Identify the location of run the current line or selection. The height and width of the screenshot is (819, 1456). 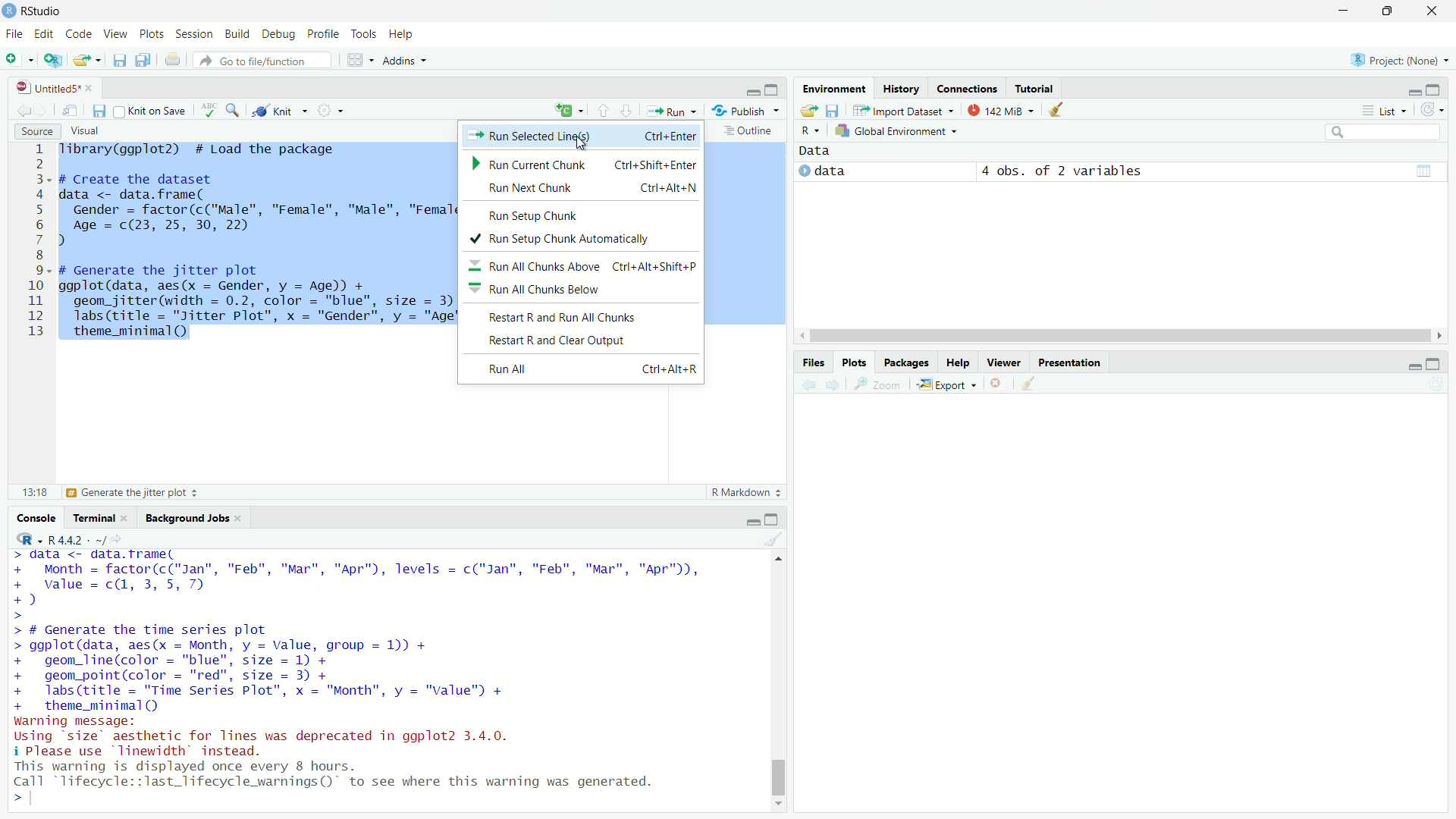
(673, 109).